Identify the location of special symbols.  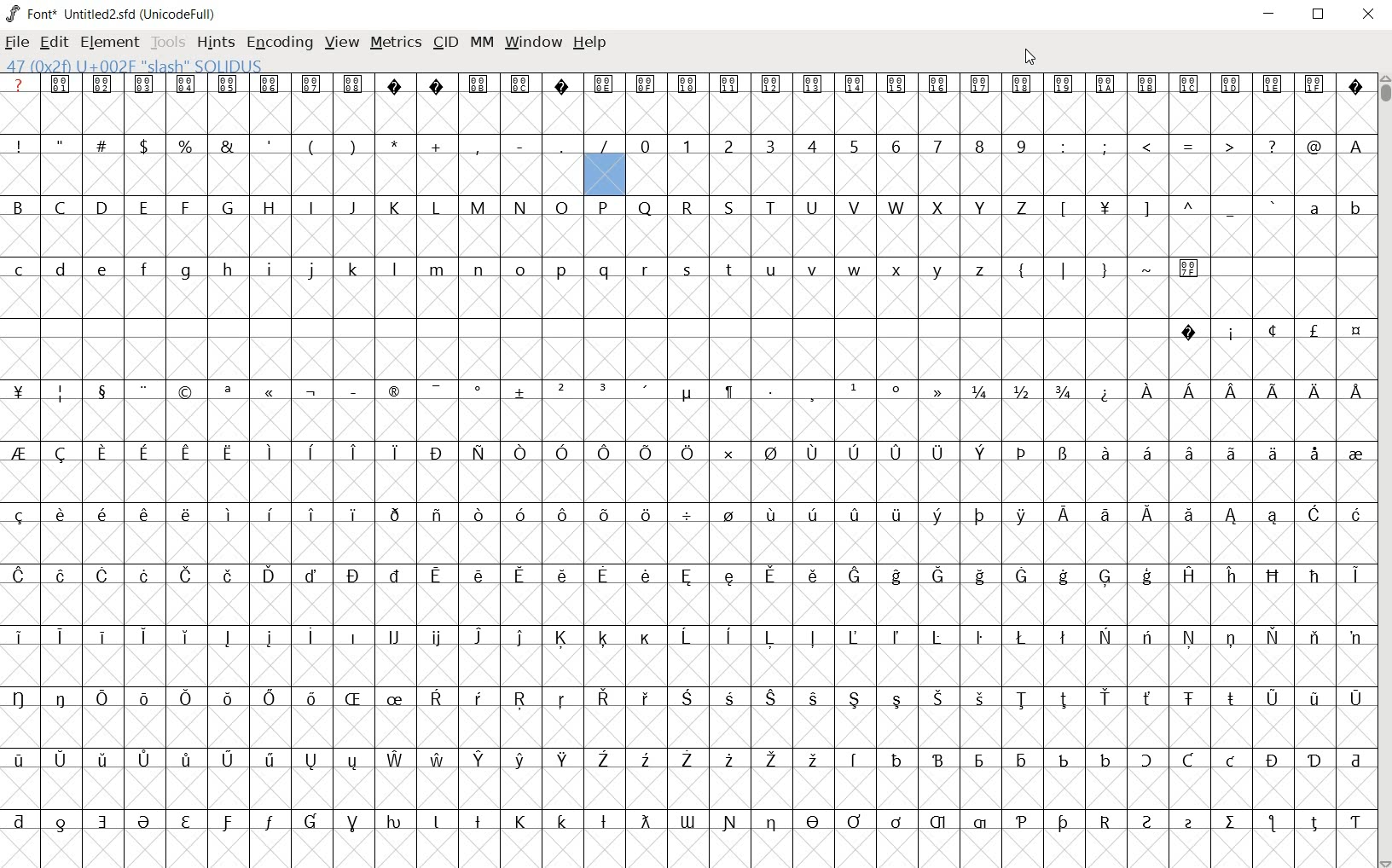
(1263, 330).